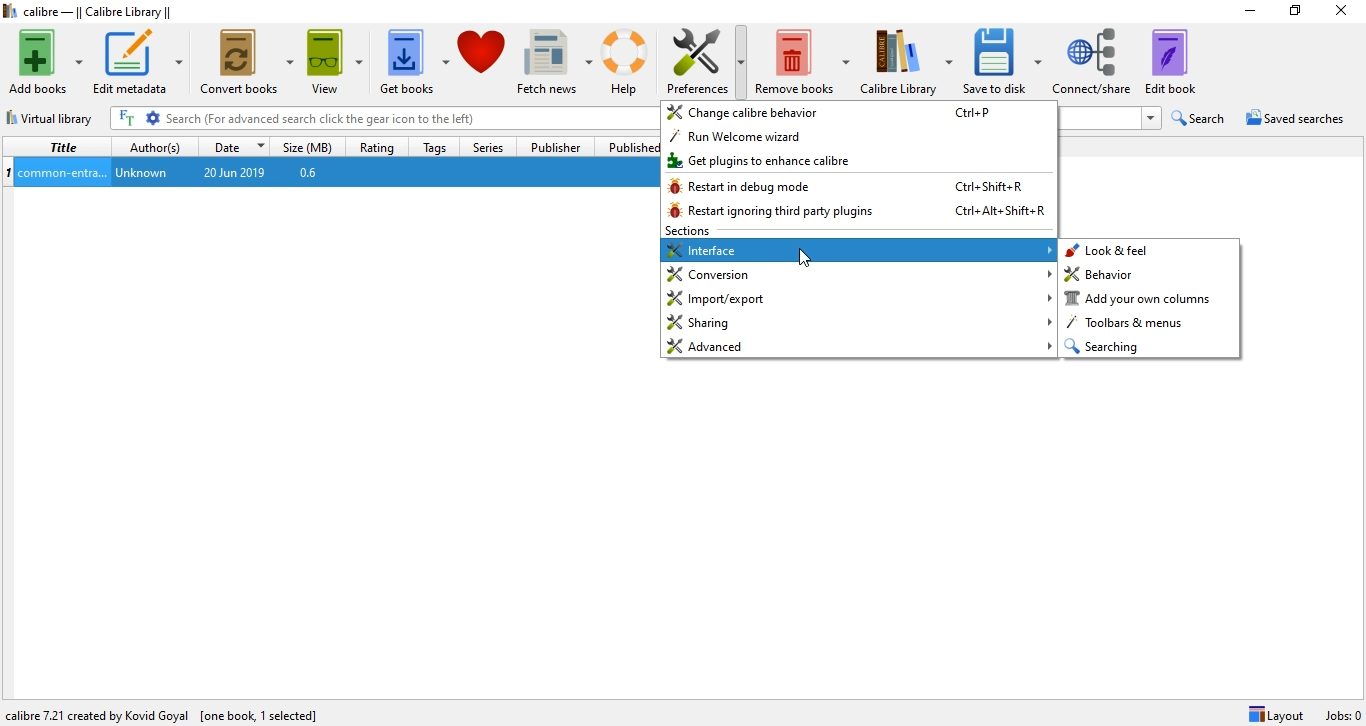 This screenshot has height=726, width=1366. Describe the element at coordinates (412, 59) in the screenshot. I see `Get books` at that location.